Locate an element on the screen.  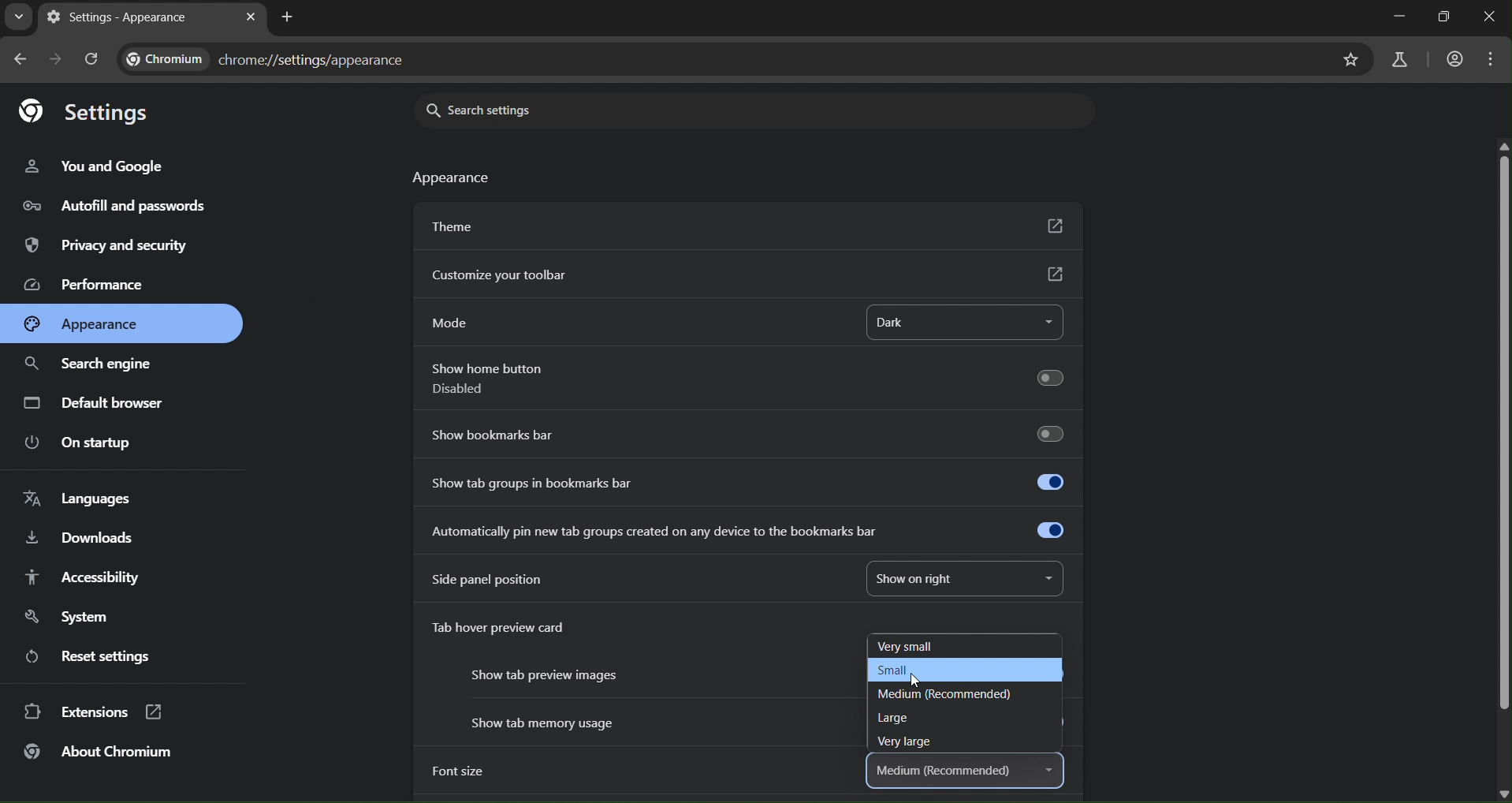
show on right is located at coordinates (957, 581).